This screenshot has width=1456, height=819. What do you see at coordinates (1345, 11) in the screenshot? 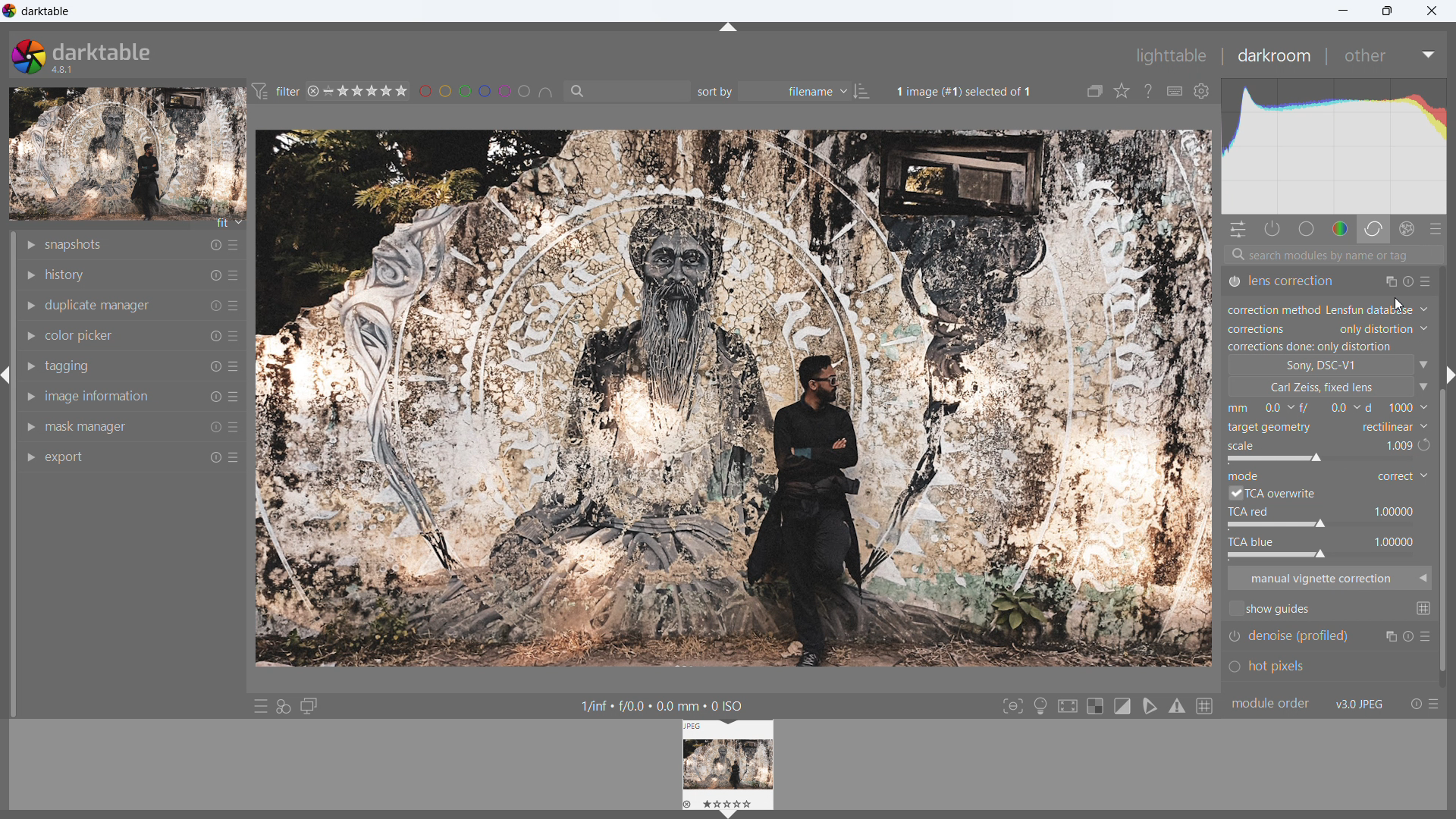
I see `minimize` at bounding box center [1345, 11].